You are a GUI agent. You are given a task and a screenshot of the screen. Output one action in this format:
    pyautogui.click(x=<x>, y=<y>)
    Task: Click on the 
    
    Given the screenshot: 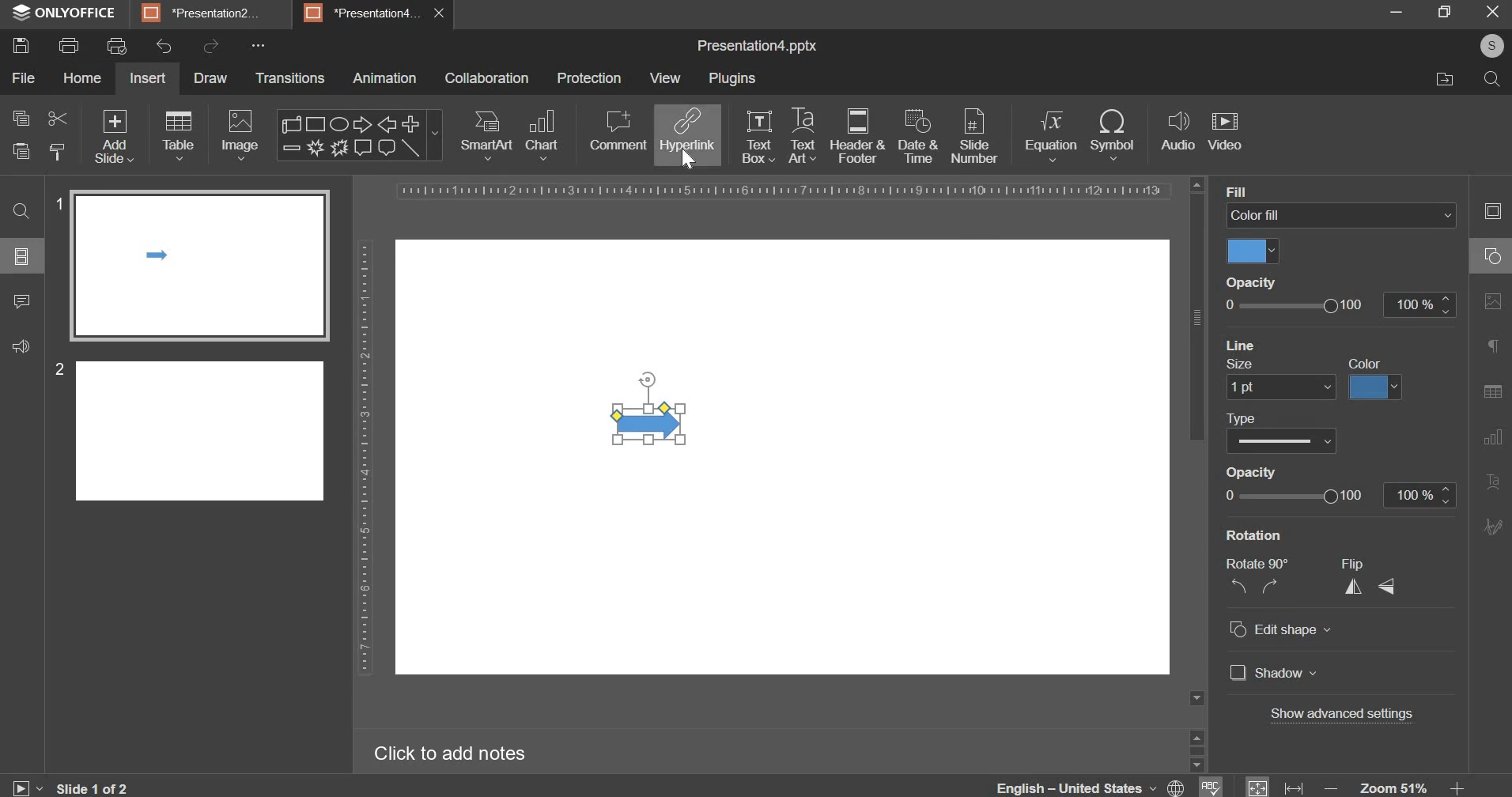 What is the action you would take?
    pyautogui.click(x=1383, y=387)
    